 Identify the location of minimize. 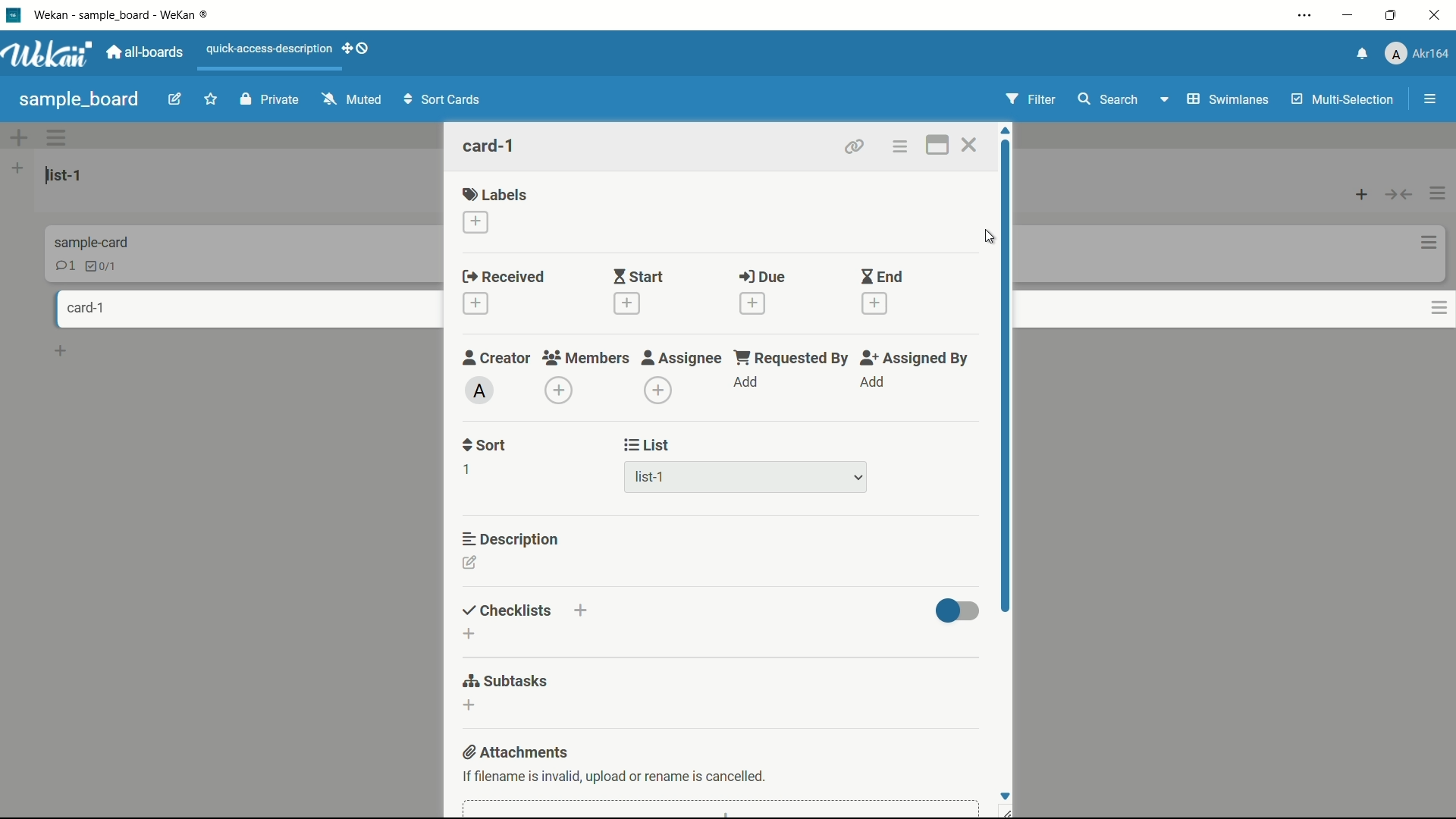
(1348, 16).